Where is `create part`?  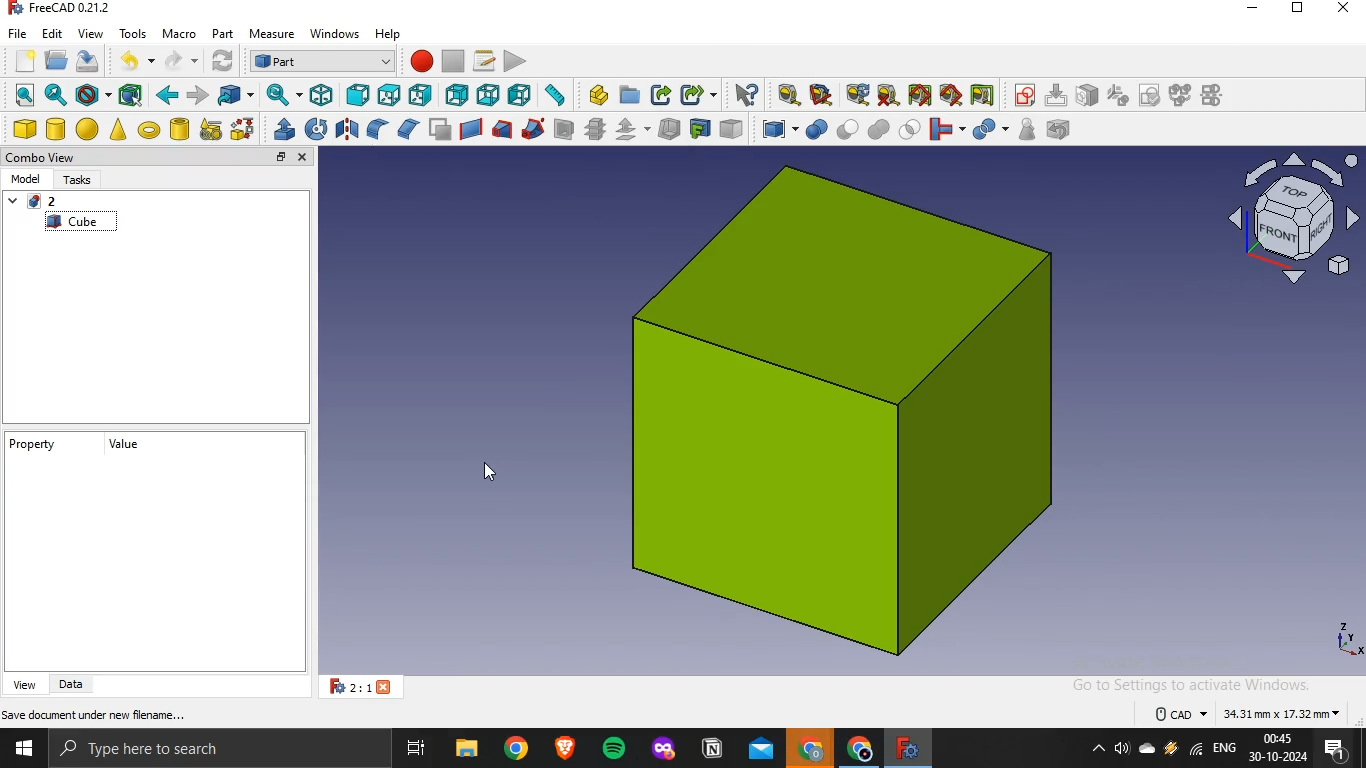 create part is located at coordinates (596, 94).